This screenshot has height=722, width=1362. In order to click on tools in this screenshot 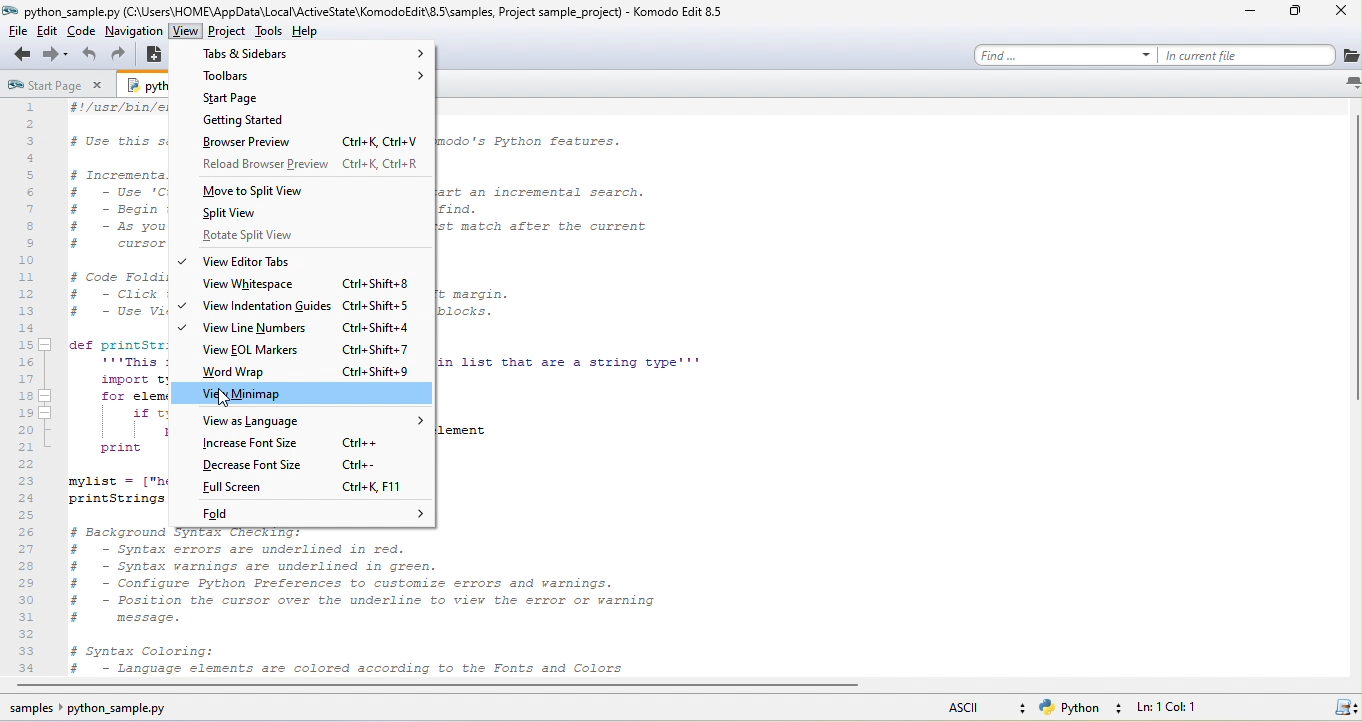, I will do `click(270, 32)`.